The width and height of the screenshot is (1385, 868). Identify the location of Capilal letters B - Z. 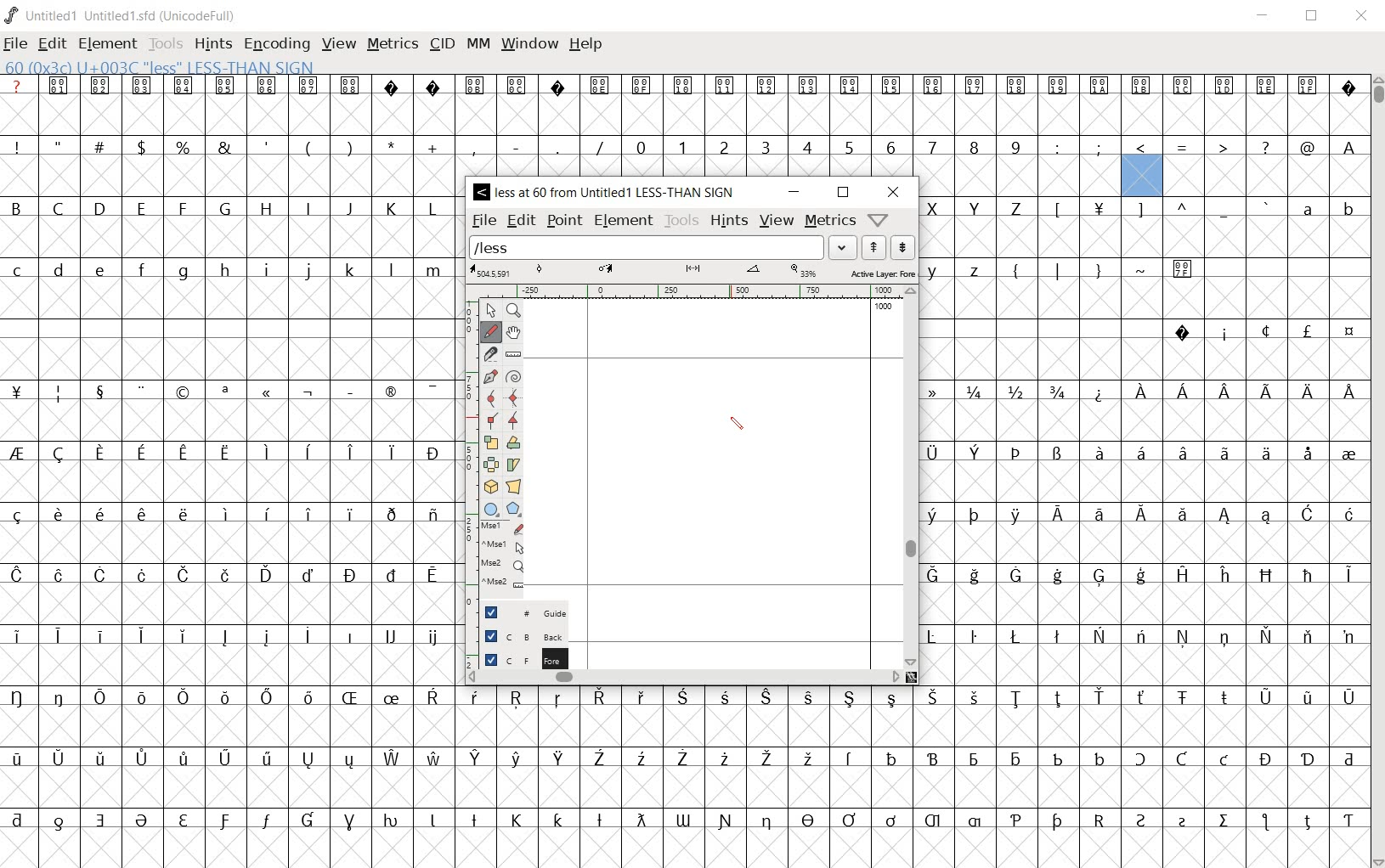
(229, 208).